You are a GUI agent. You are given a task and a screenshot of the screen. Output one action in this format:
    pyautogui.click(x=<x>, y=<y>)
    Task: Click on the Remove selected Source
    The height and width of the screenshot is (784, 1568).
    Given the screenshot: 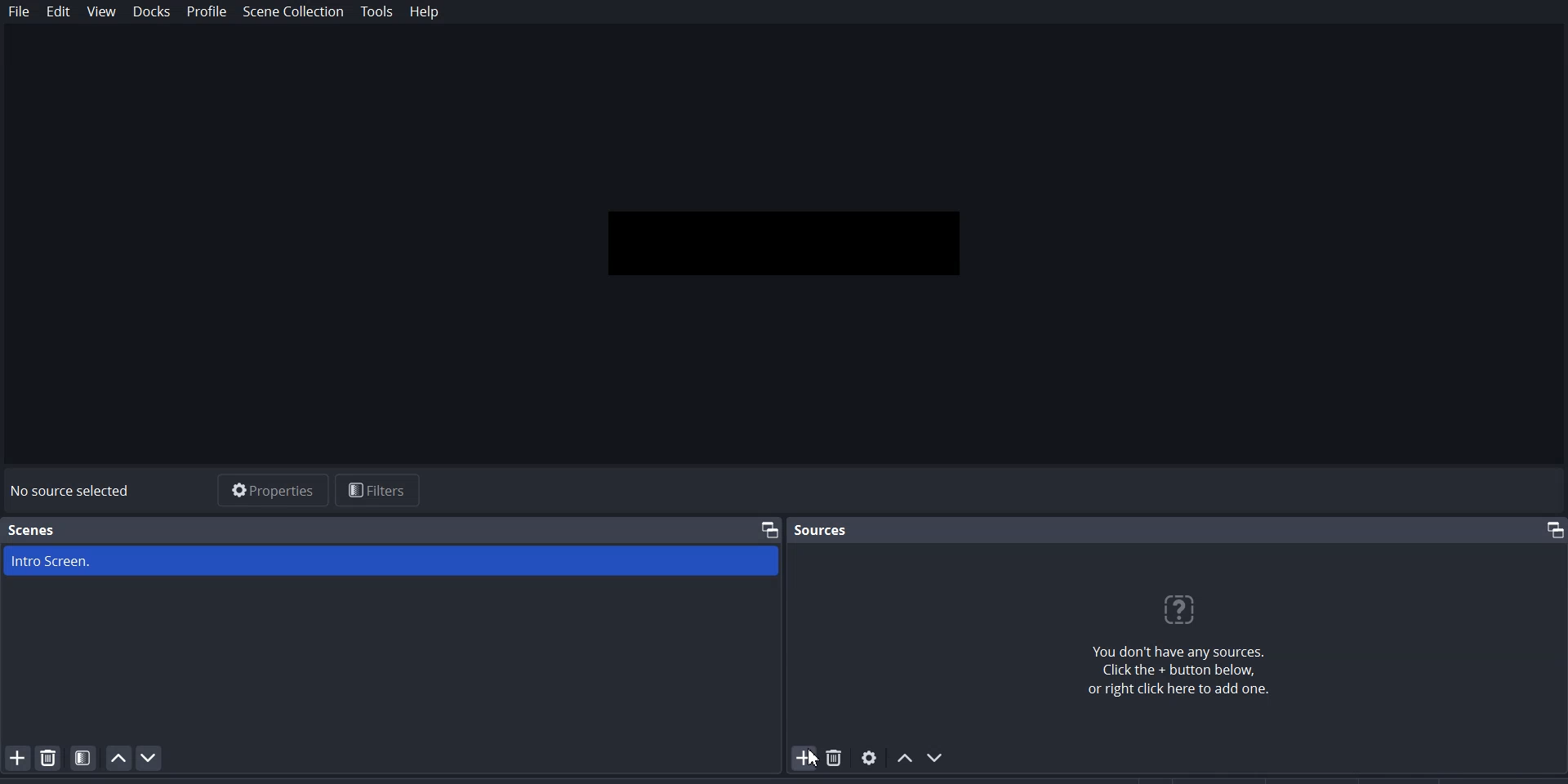 What is the action you would take?
    pyautogui.click(x=836, y=757)
    